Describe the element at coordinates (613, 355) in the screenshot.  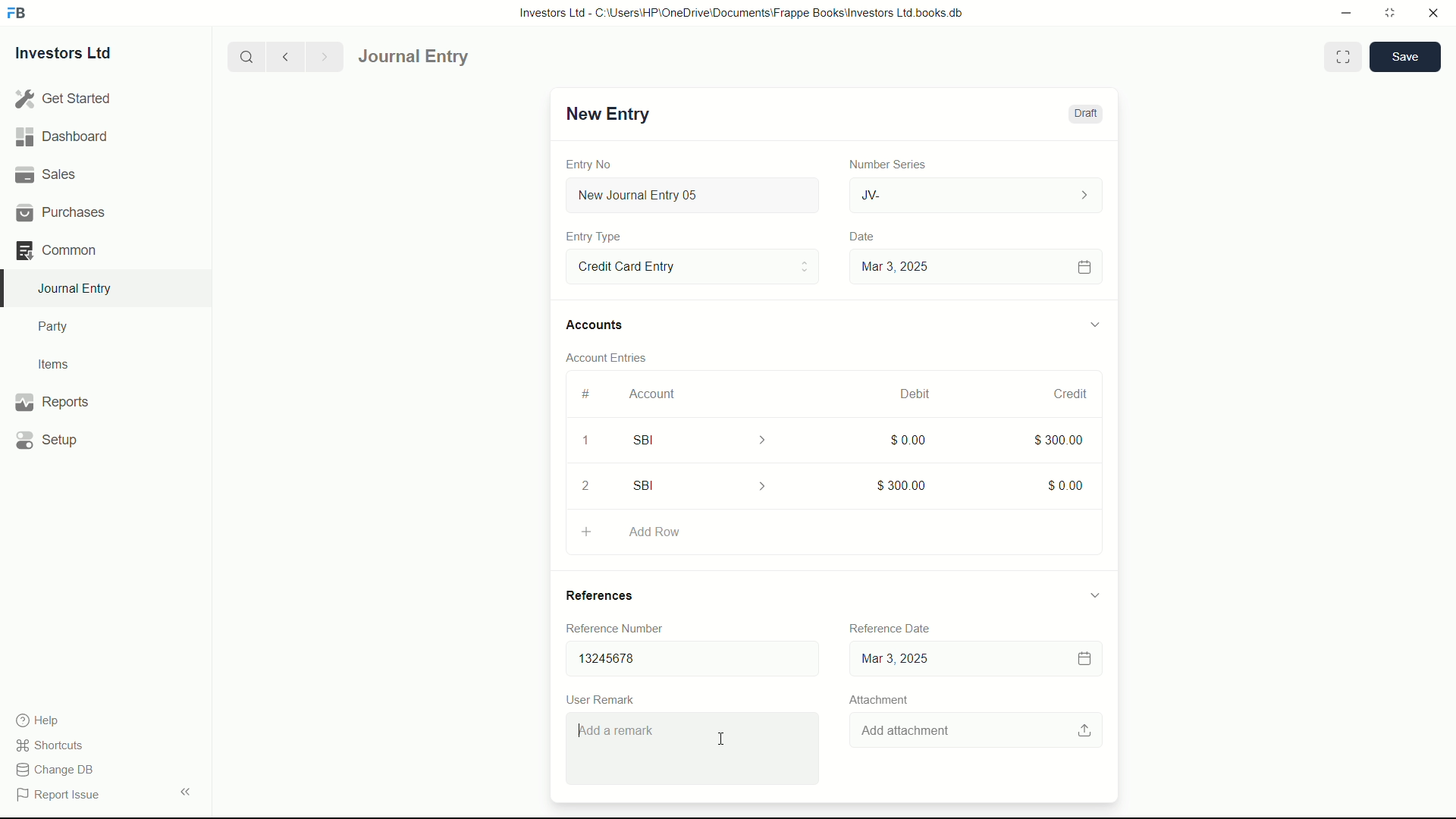
I see `Account Entries` at that location.